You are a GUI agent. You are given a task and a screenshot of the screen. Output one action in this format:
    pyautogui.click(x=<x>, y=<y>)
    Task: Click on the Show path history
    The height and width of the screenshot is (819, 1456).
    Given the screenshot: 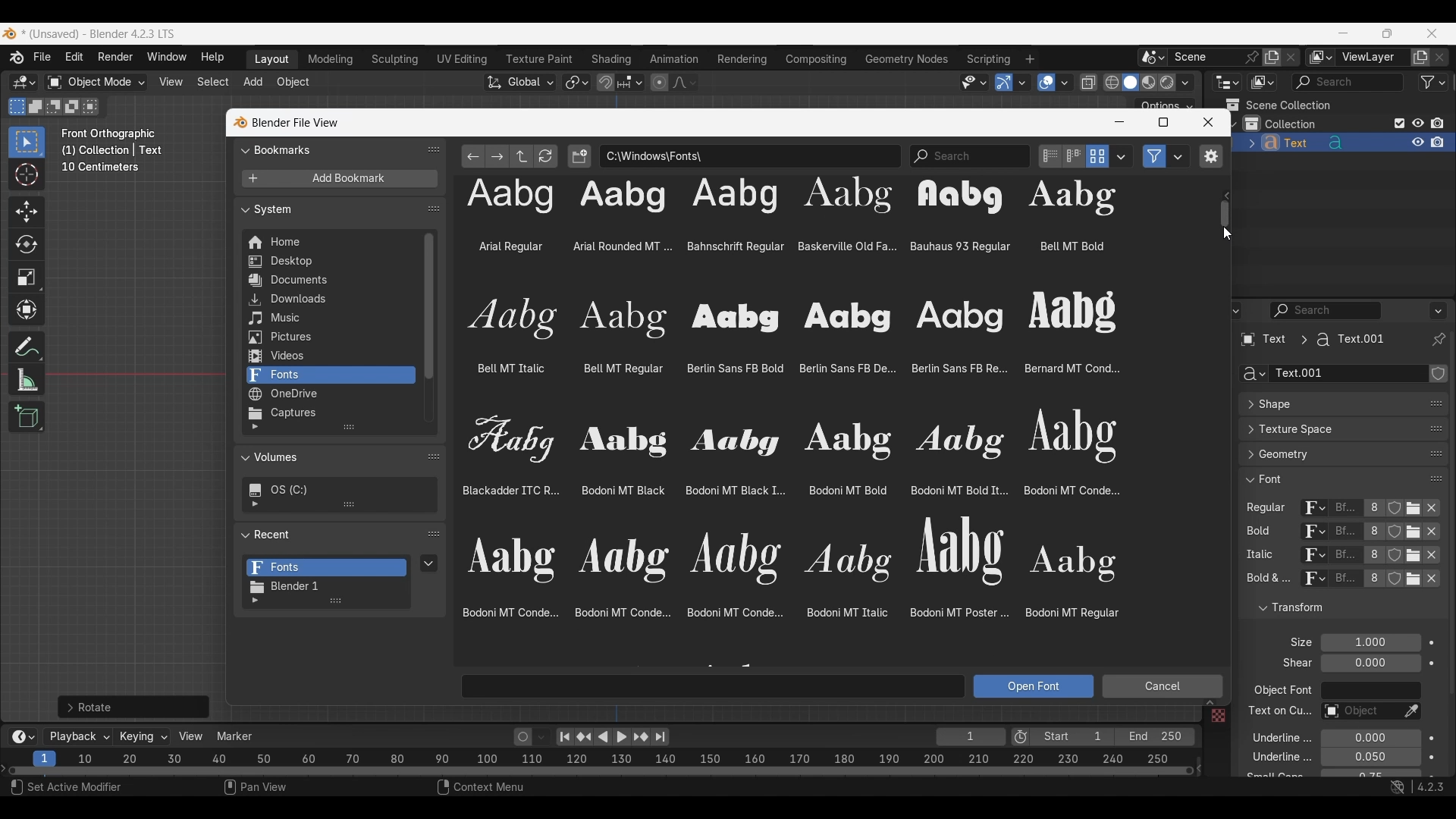 What is the action you would take?
    pyautogui.click(x=1225, y=196)
    